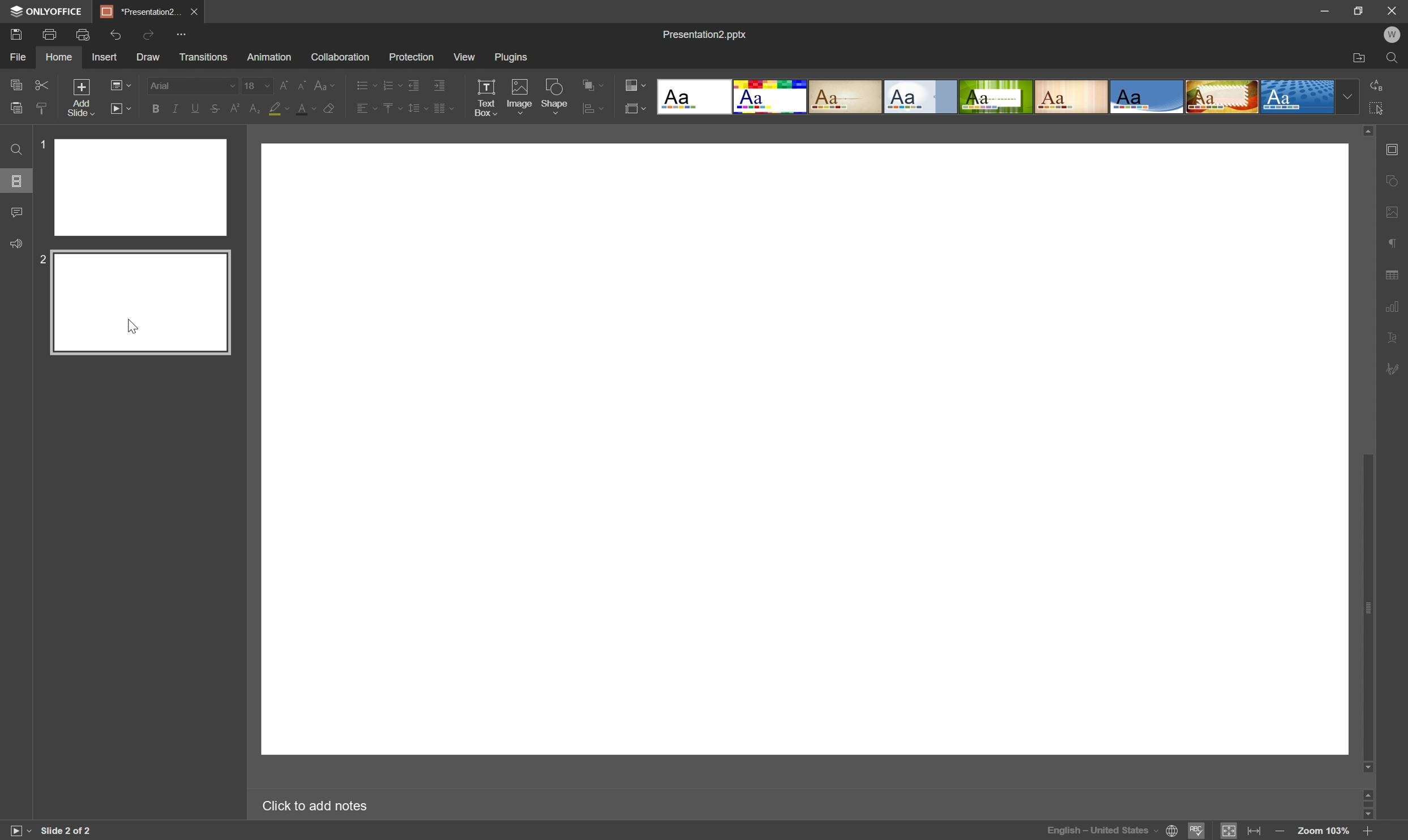  I want to click on Bullets, so click(363, 83).